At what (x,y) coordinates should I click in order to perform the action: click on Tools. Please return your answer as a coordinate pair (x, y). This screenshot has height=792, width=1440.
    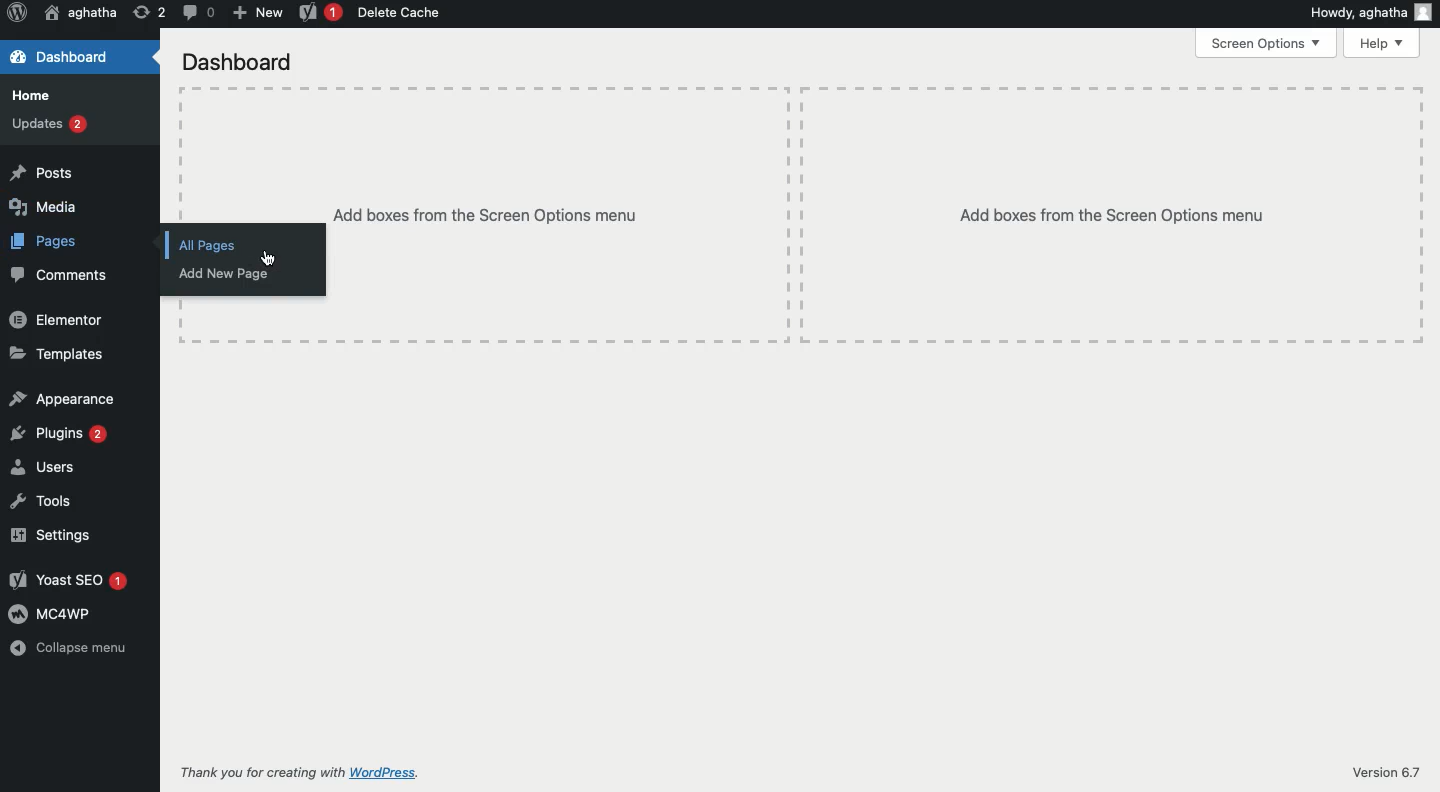
    Looking at the image, I should click on (39, 502).